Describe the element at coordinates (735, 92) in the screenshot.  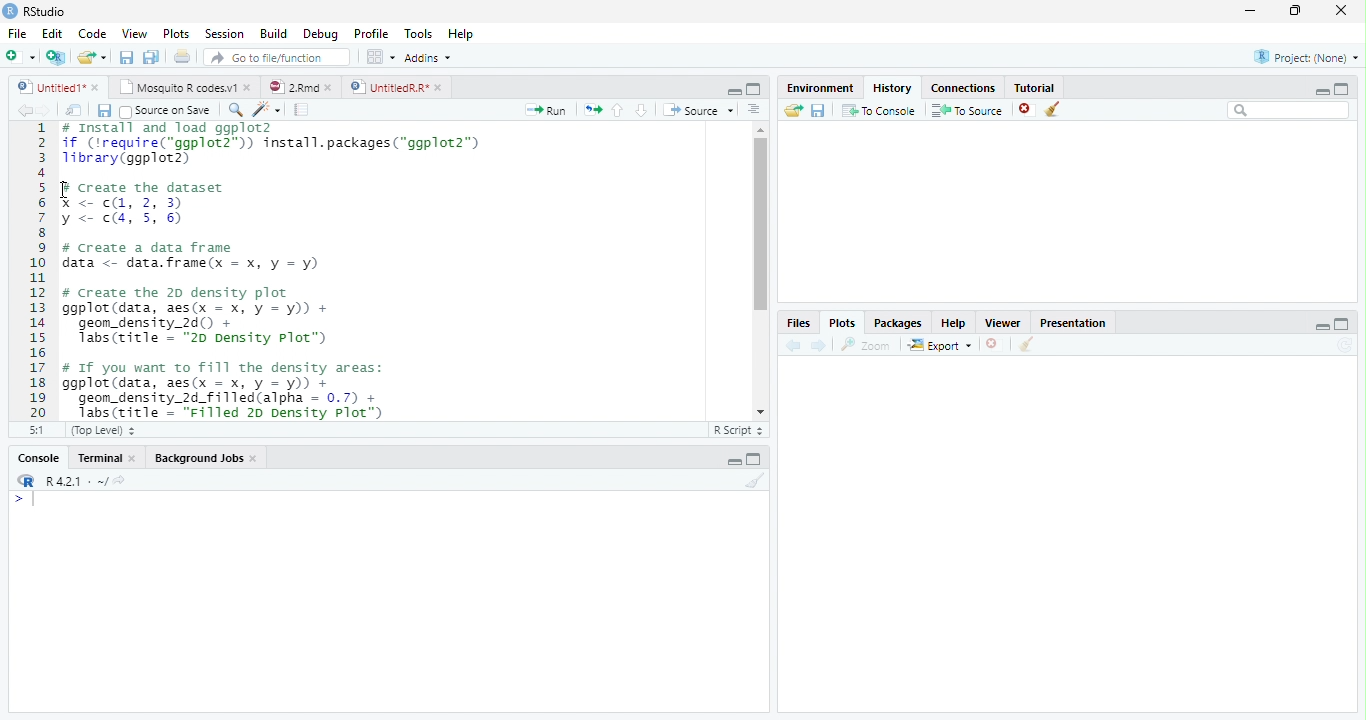
I see `minimize` at that location.